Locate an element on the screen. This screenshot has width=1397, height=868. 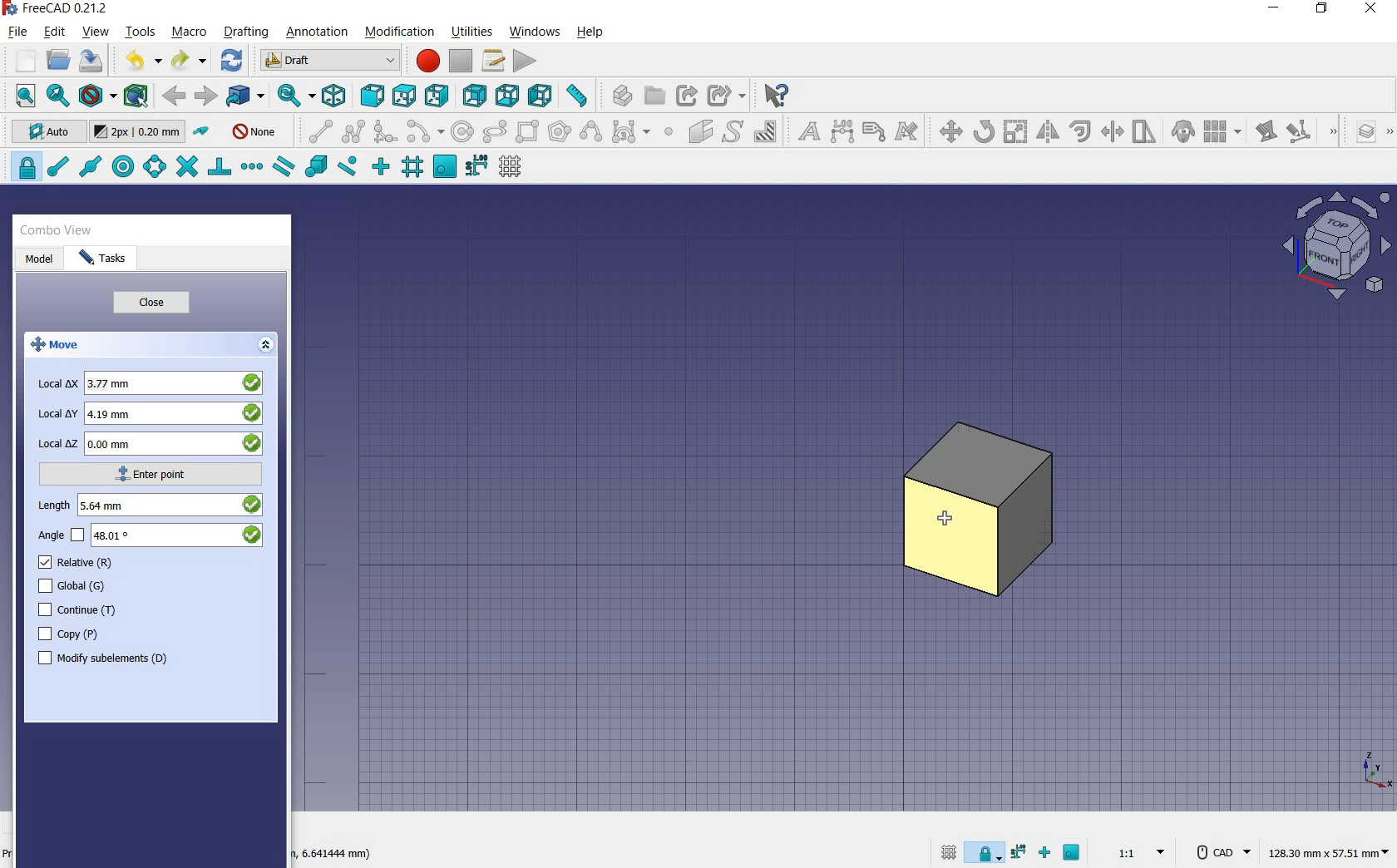
dimension is located at coordinates (843, 131).